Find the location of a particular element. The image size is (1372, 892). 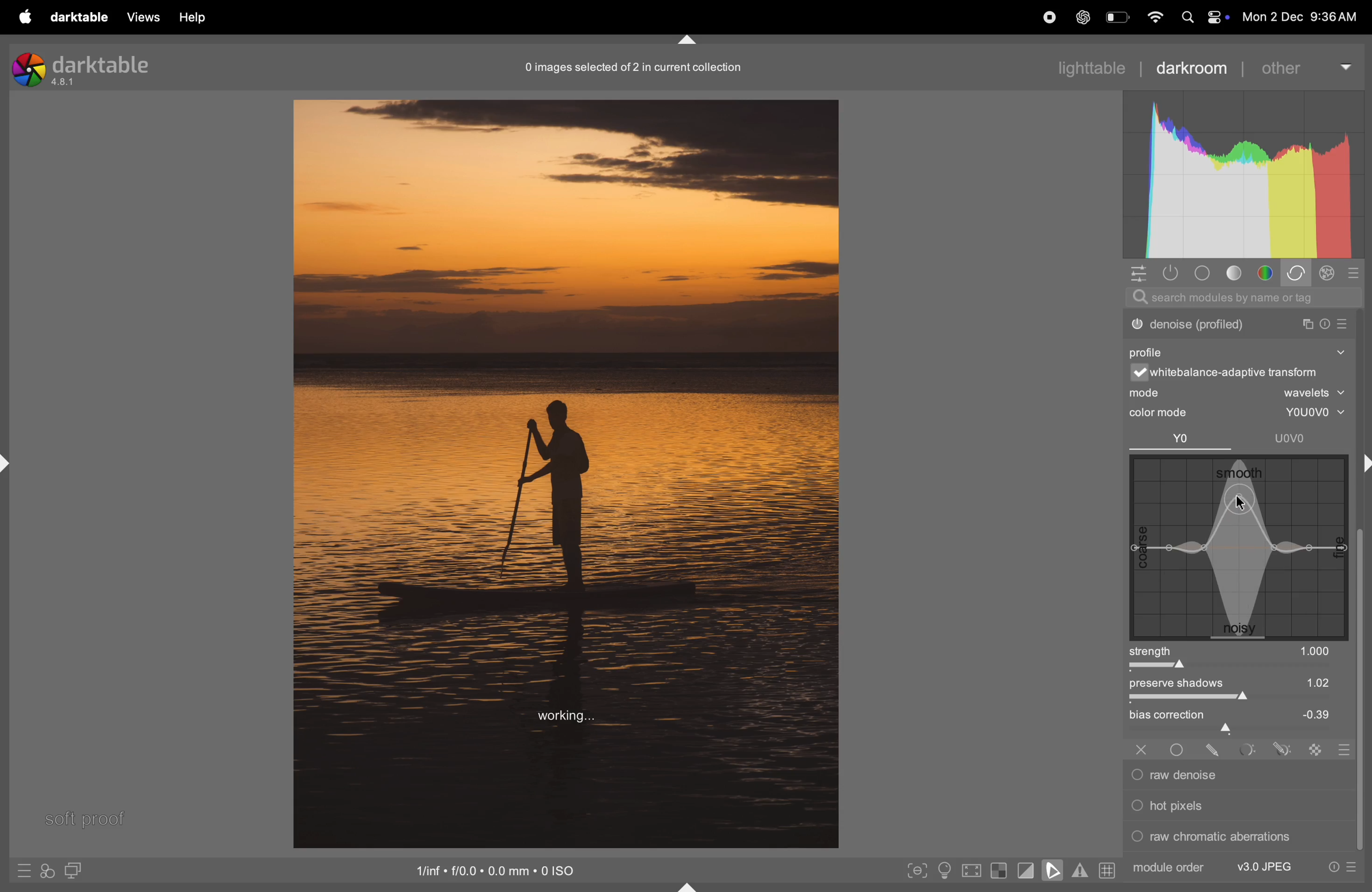

toggle peak focusing is located at coordinates (917, 870).